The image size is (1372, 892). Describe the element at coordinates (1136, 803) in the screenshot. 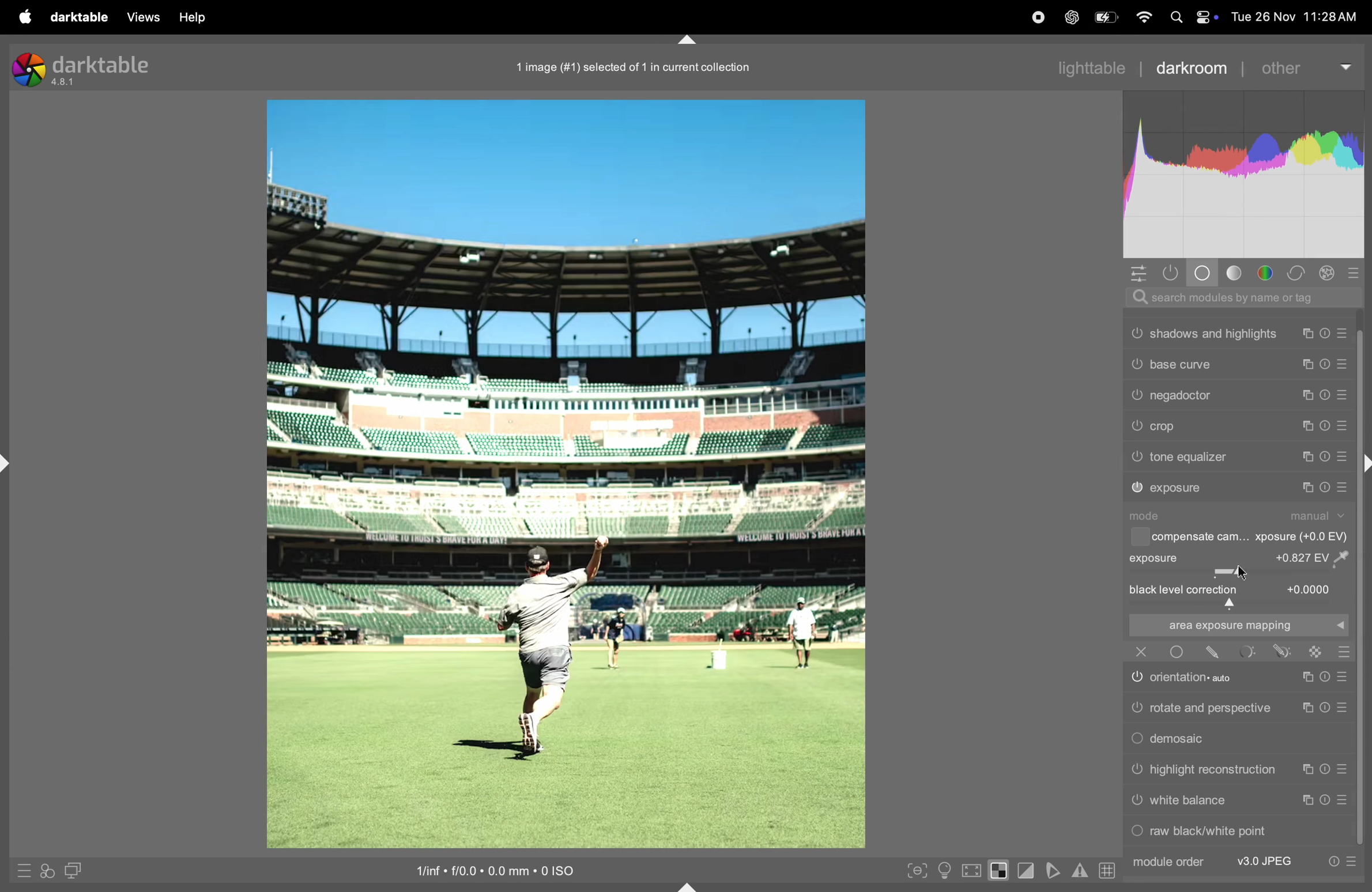

I see `Switch on or off` at that location.